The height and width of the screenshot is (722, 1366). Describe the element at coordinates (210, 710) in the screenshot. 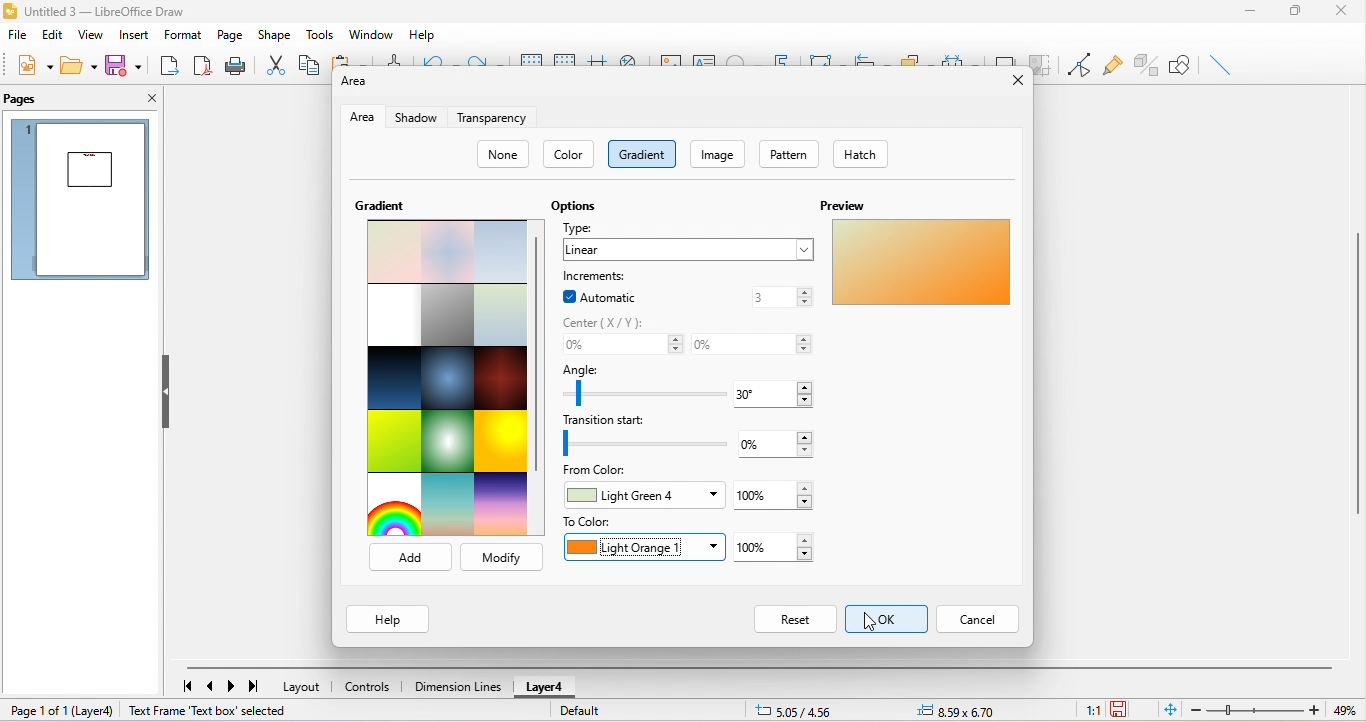

I see `text frame text box selected` at that location.